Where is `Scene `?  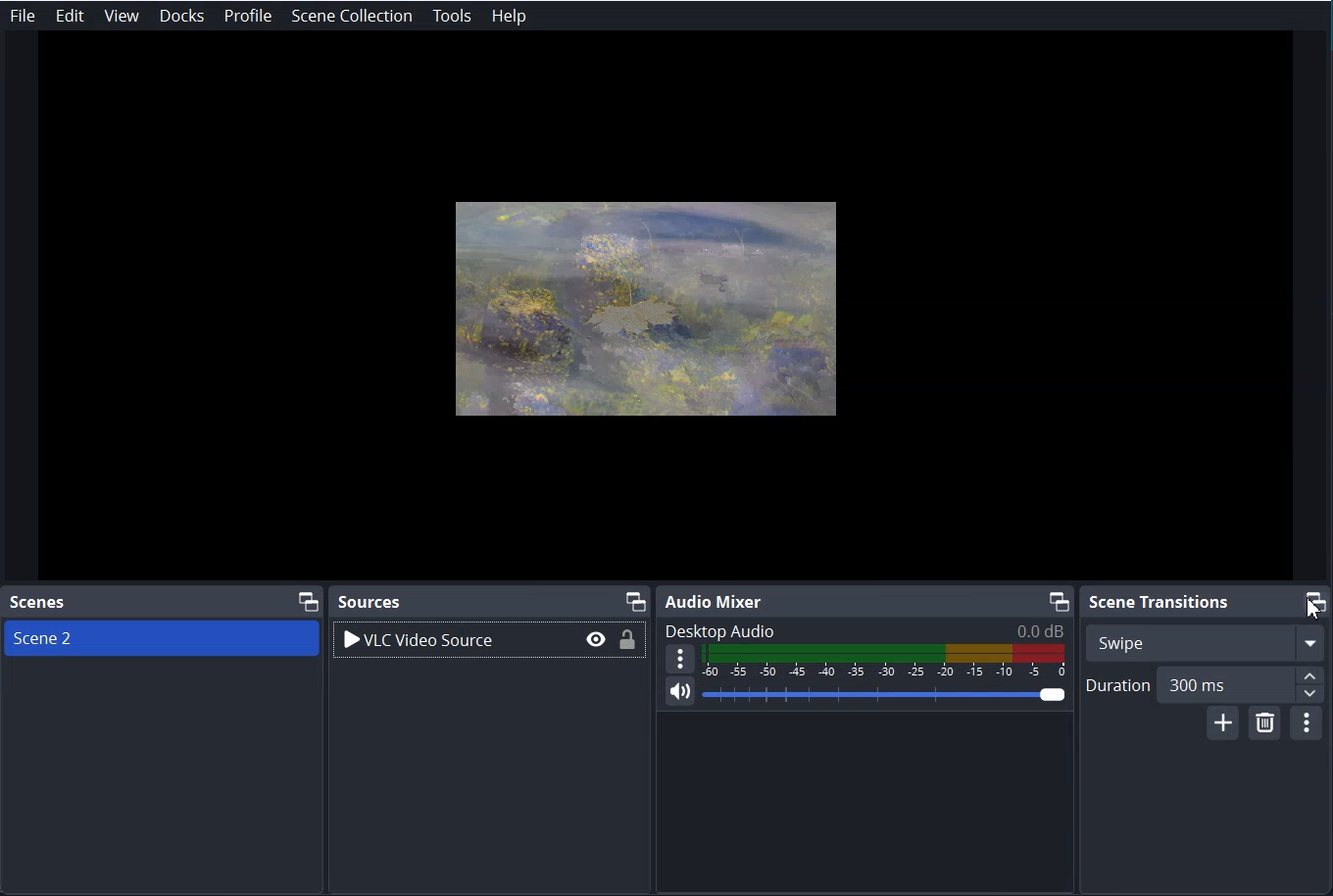 Scene  is located at coordinates (129, 637).